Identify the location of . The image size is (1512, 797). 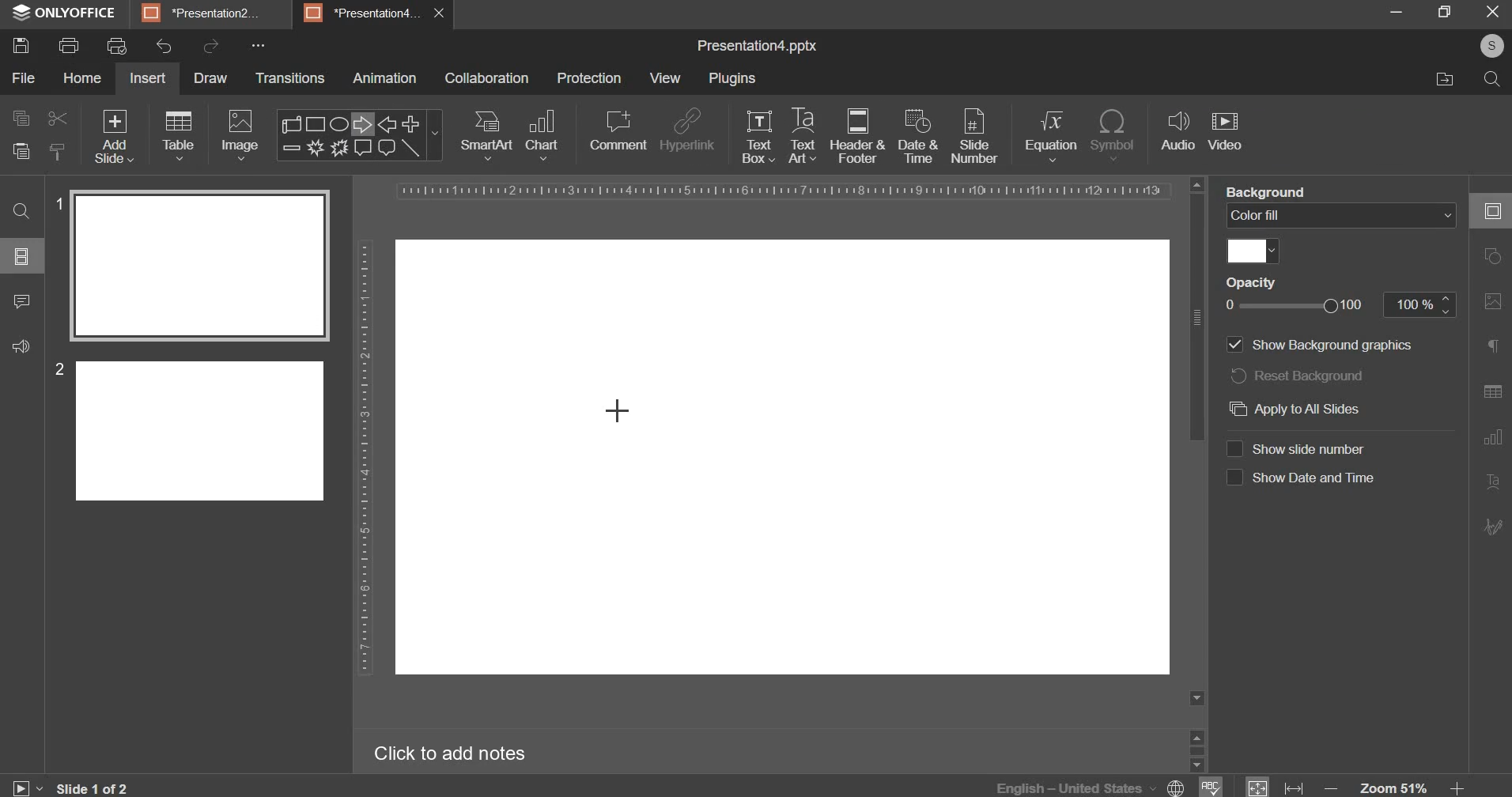
(1317, 478).